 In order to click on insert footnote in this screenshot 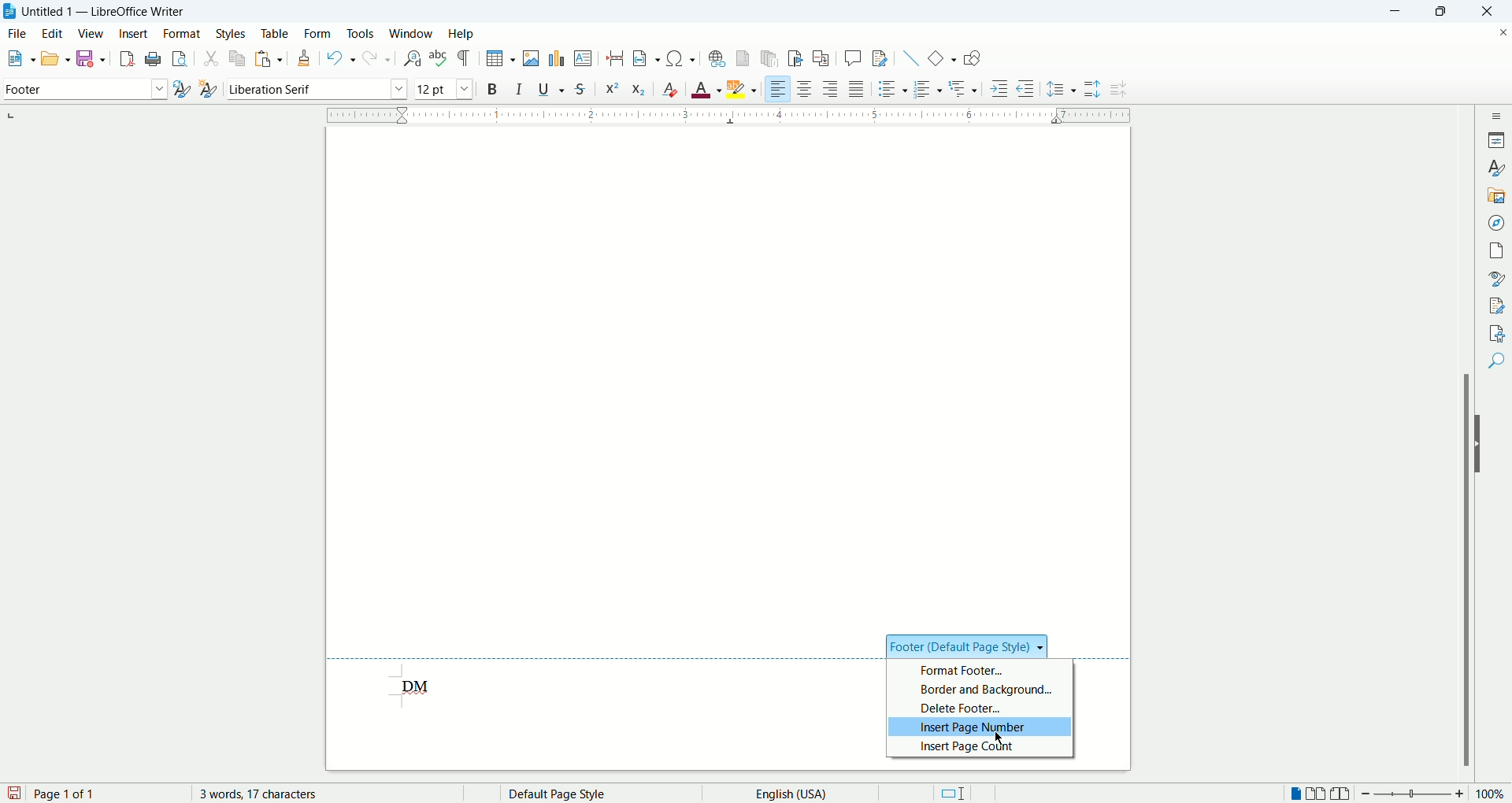, I will do `click(743, 58)`.